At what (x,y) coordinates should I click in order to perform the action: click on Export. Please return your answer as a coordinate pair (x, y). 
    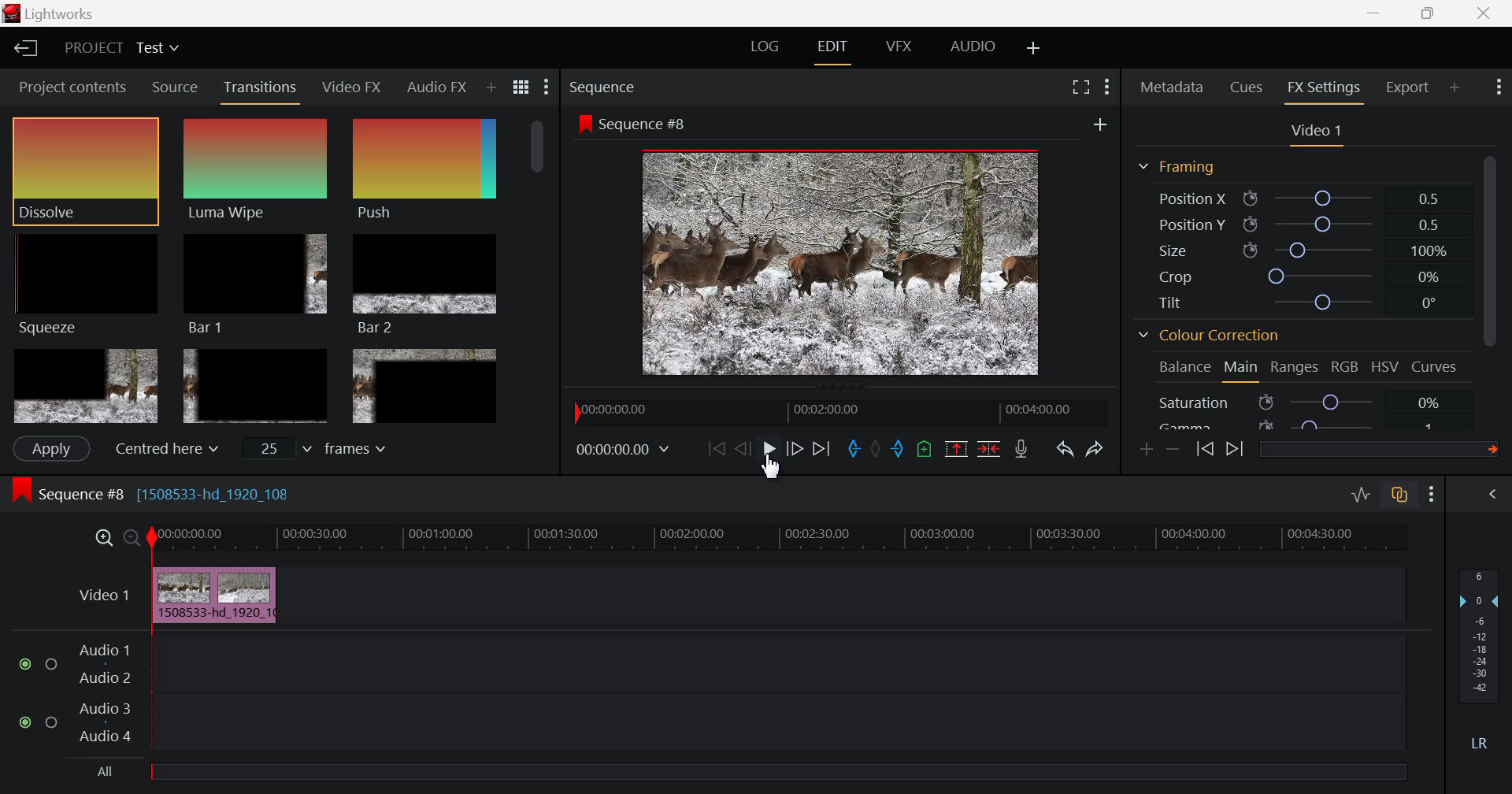
    Looking at the image, I should click on (1409, 87).